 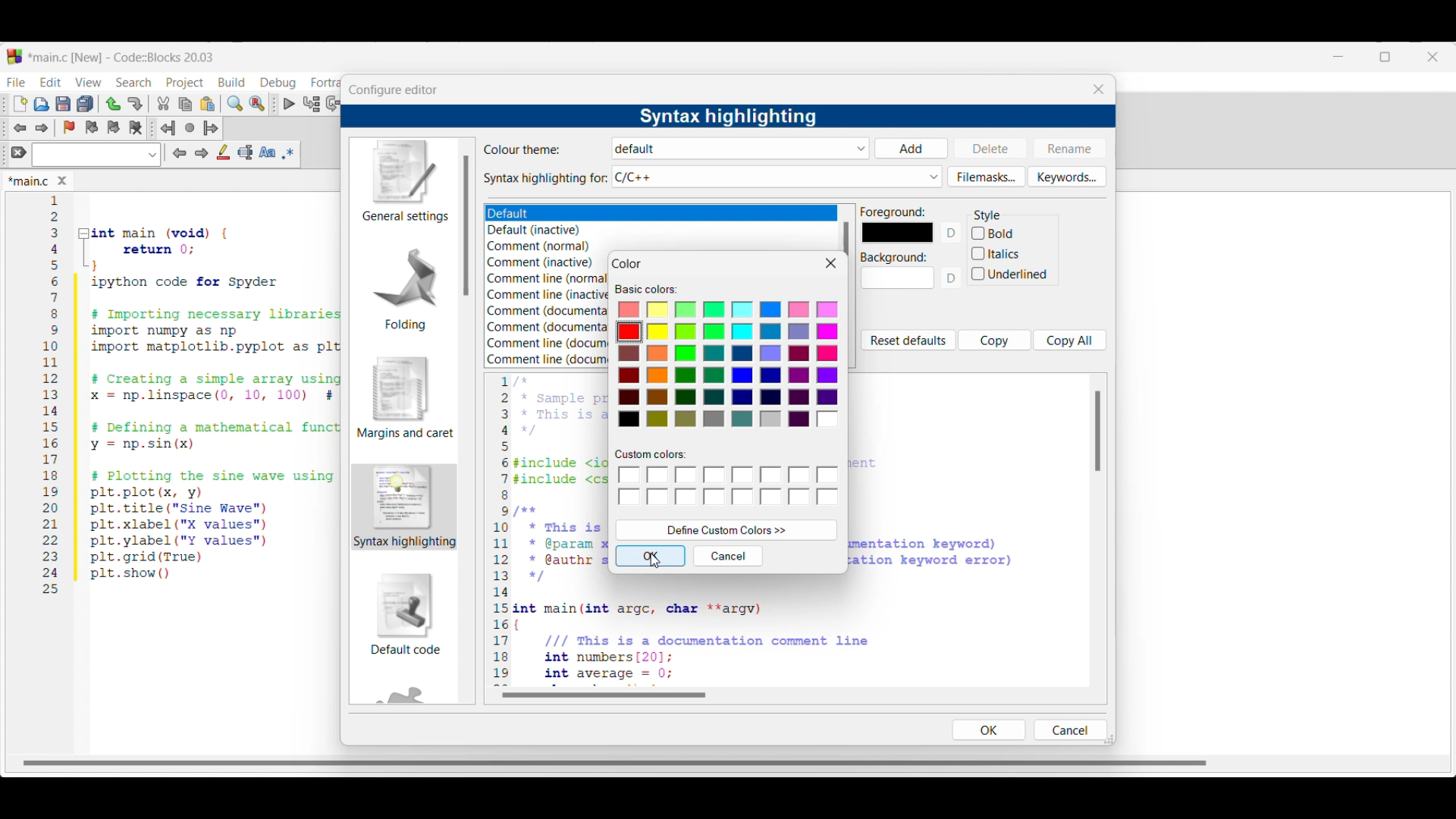 What do you see at coordinates (908, 340) in the screenshot?
I see `Reset defaults` at bounding box center [908, 340].